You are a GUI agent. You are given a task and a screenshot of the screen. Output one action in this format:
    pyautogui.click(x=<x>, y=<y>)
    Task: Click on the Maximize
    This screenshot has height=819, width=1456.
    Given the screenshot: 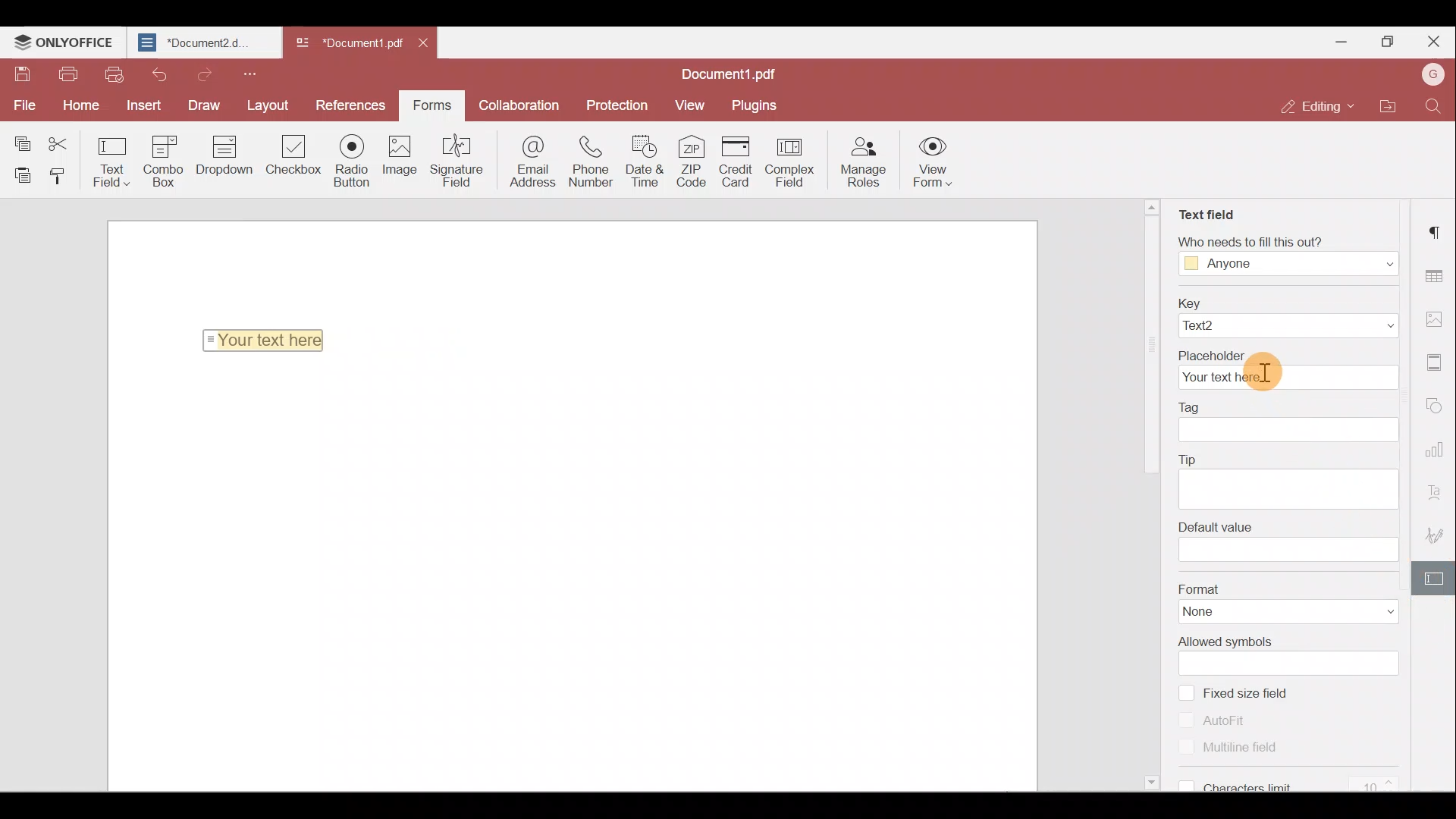 What is the action you would take?
    pyautogui.click(x=1387, y=38)
    